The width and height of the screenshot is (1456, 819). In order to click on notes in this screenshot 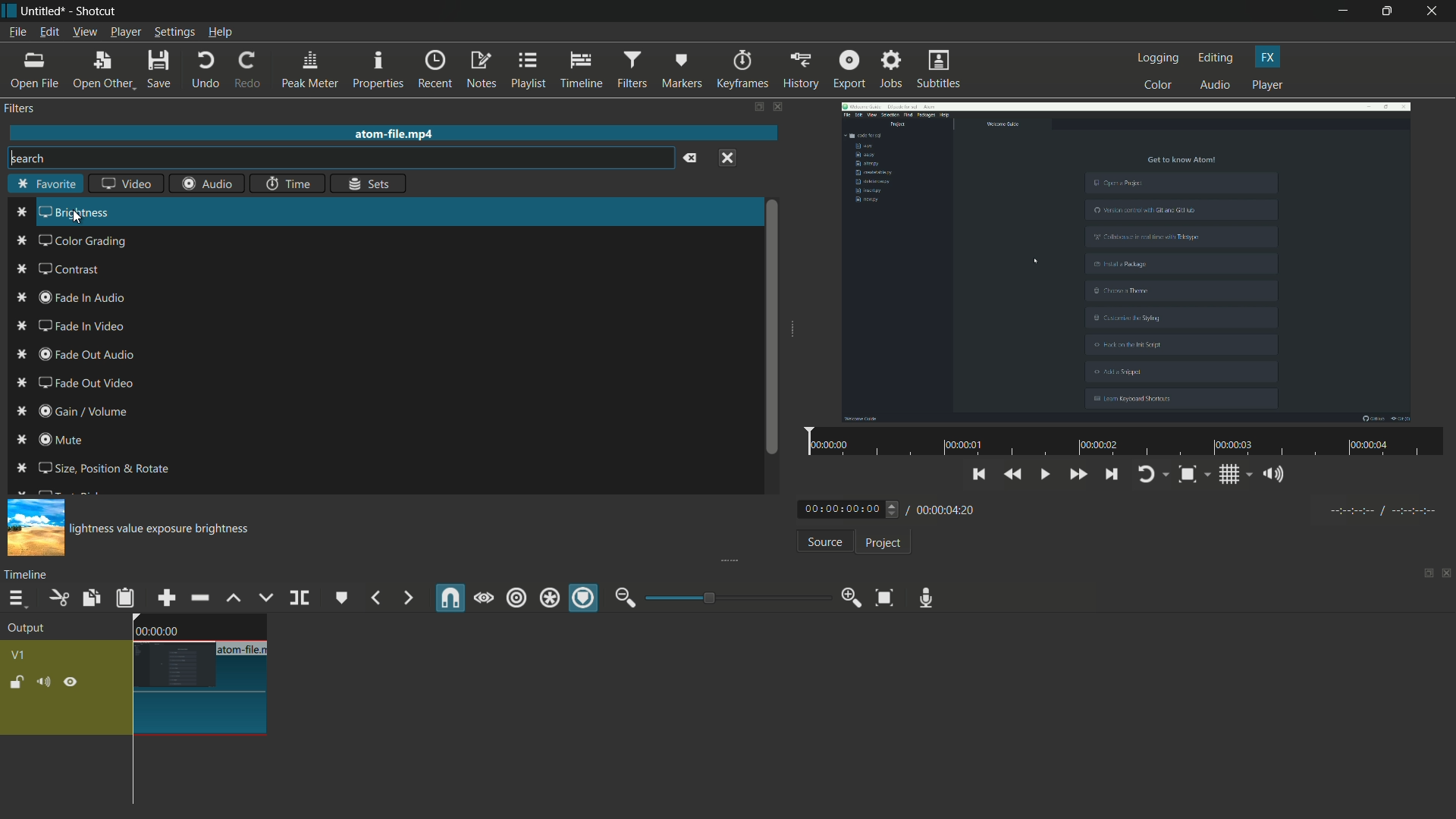, I will do `click(483, 71)`.